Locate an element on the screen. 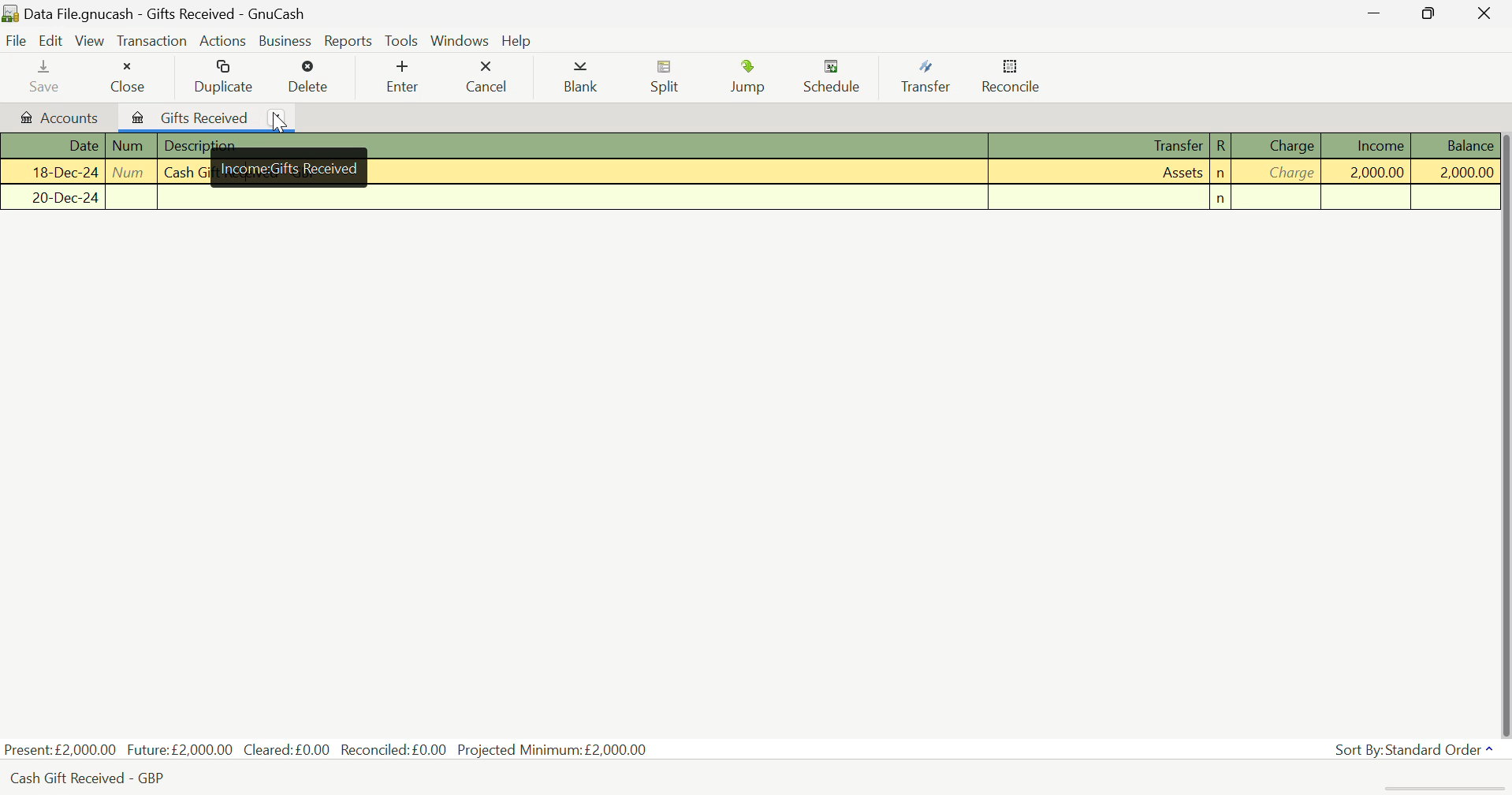 The image size is (1512, 795). Close Window is located at coordinates (1488, 12).